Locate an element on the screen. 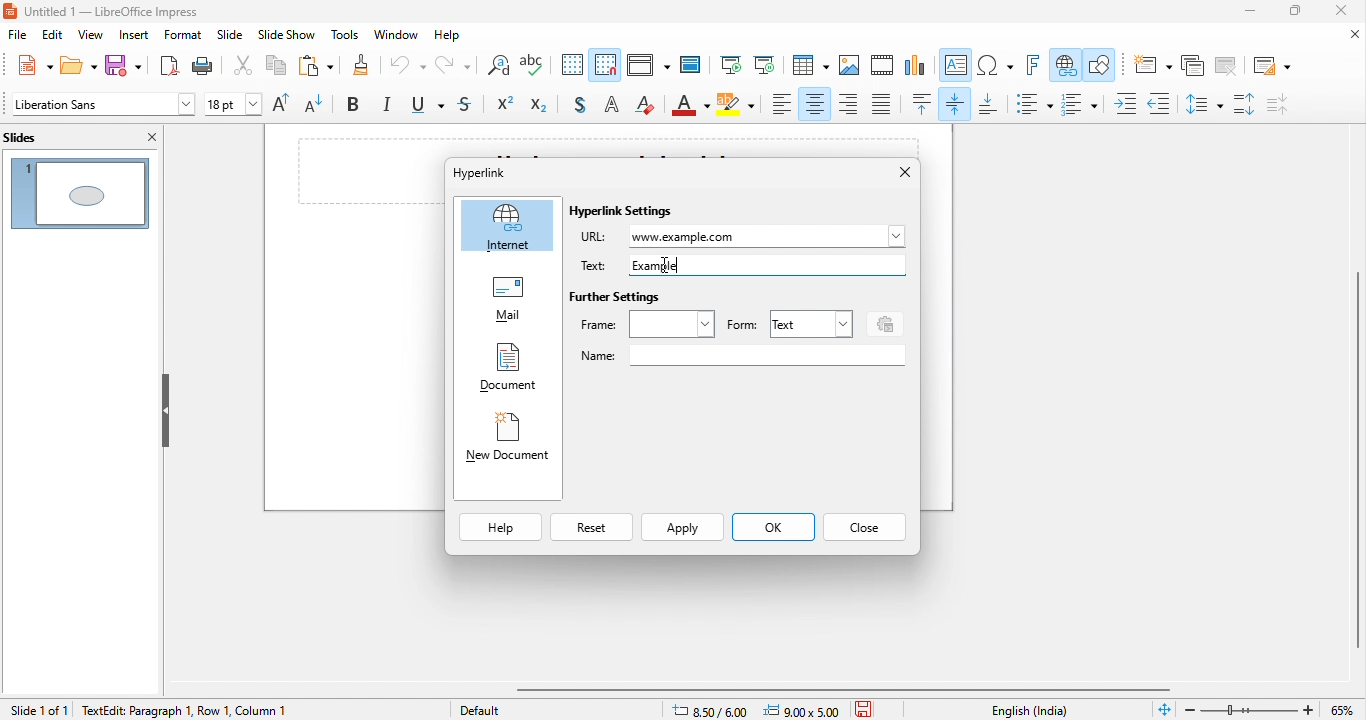  print is located at coordinates (208, 66).